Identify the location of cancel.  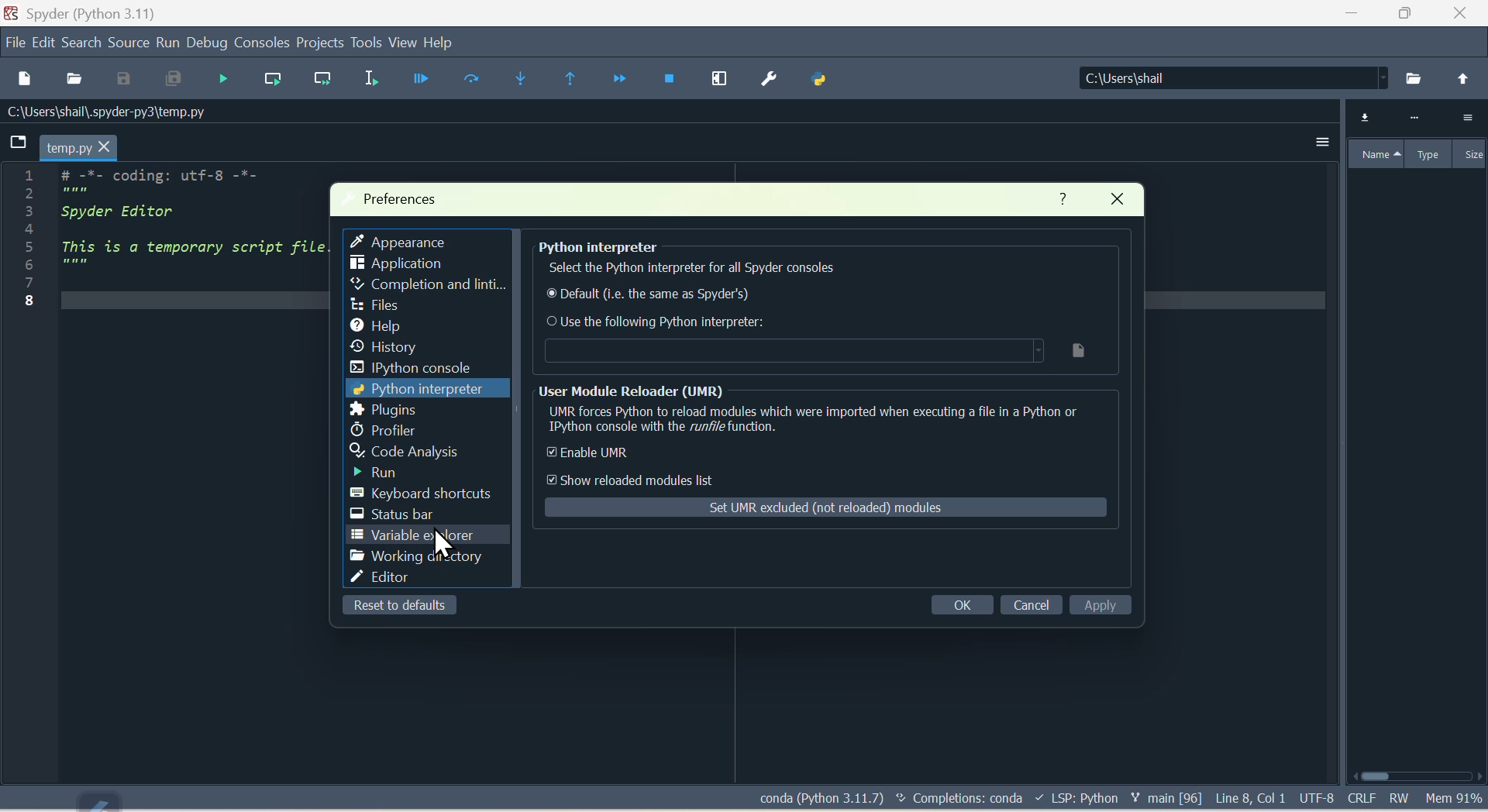
(1028, 606).